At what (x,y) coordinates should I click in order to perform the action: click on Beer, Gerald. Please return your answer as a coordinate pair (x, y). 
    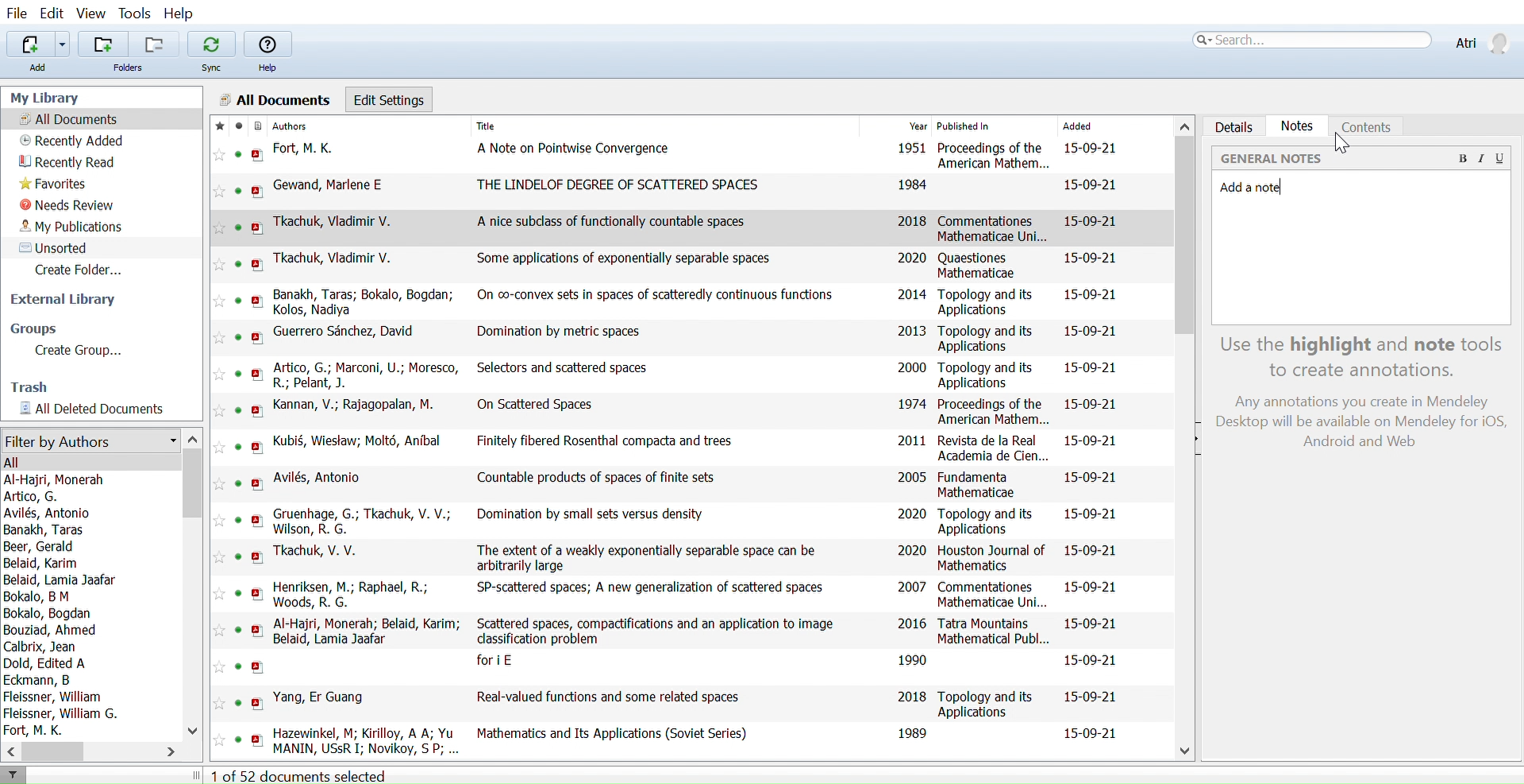
    Looking at the image, I should click on (43, 547).